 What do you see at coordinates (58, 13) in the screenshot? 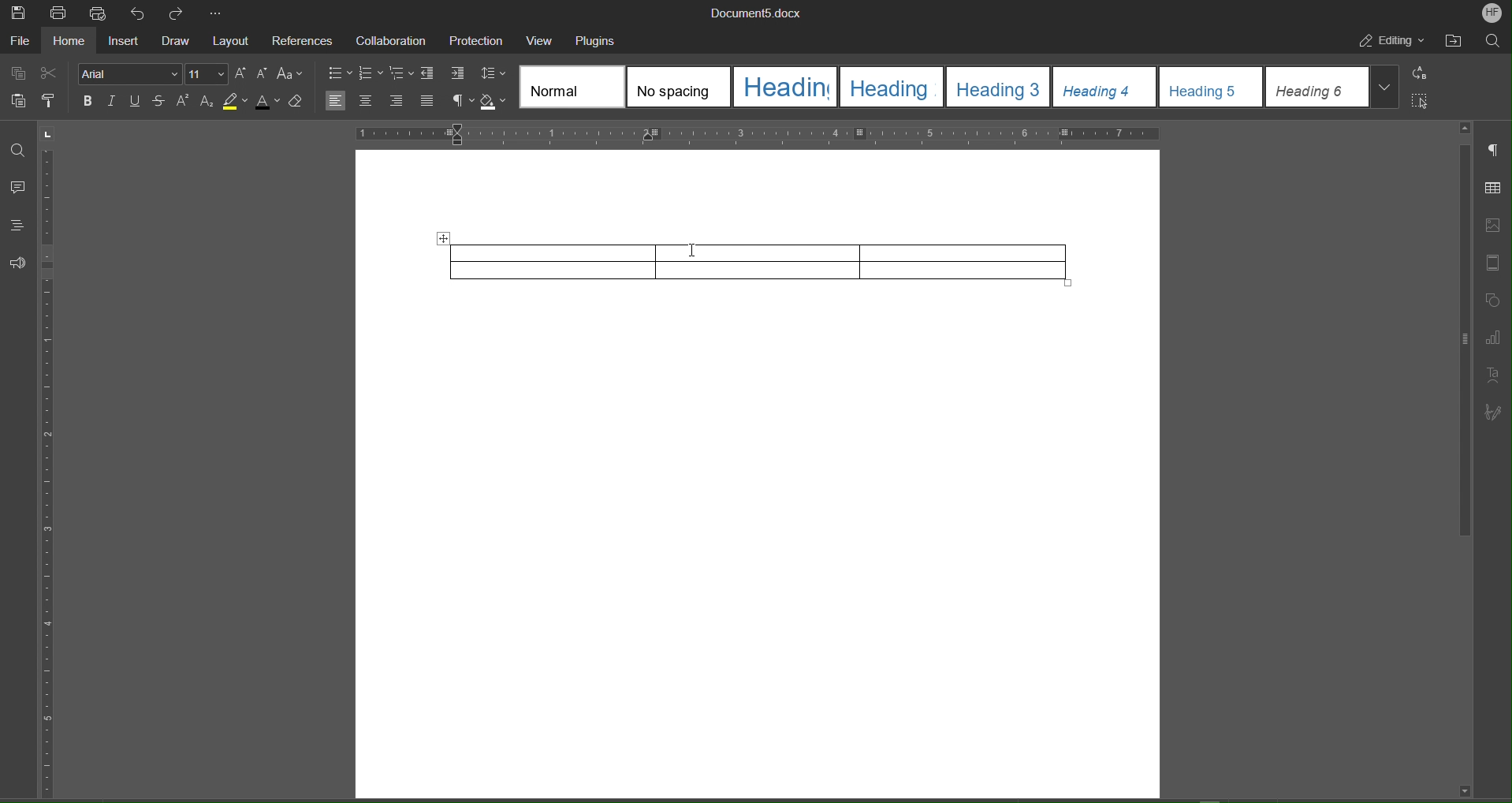
I see `Print` at bounding box center [58, 13].